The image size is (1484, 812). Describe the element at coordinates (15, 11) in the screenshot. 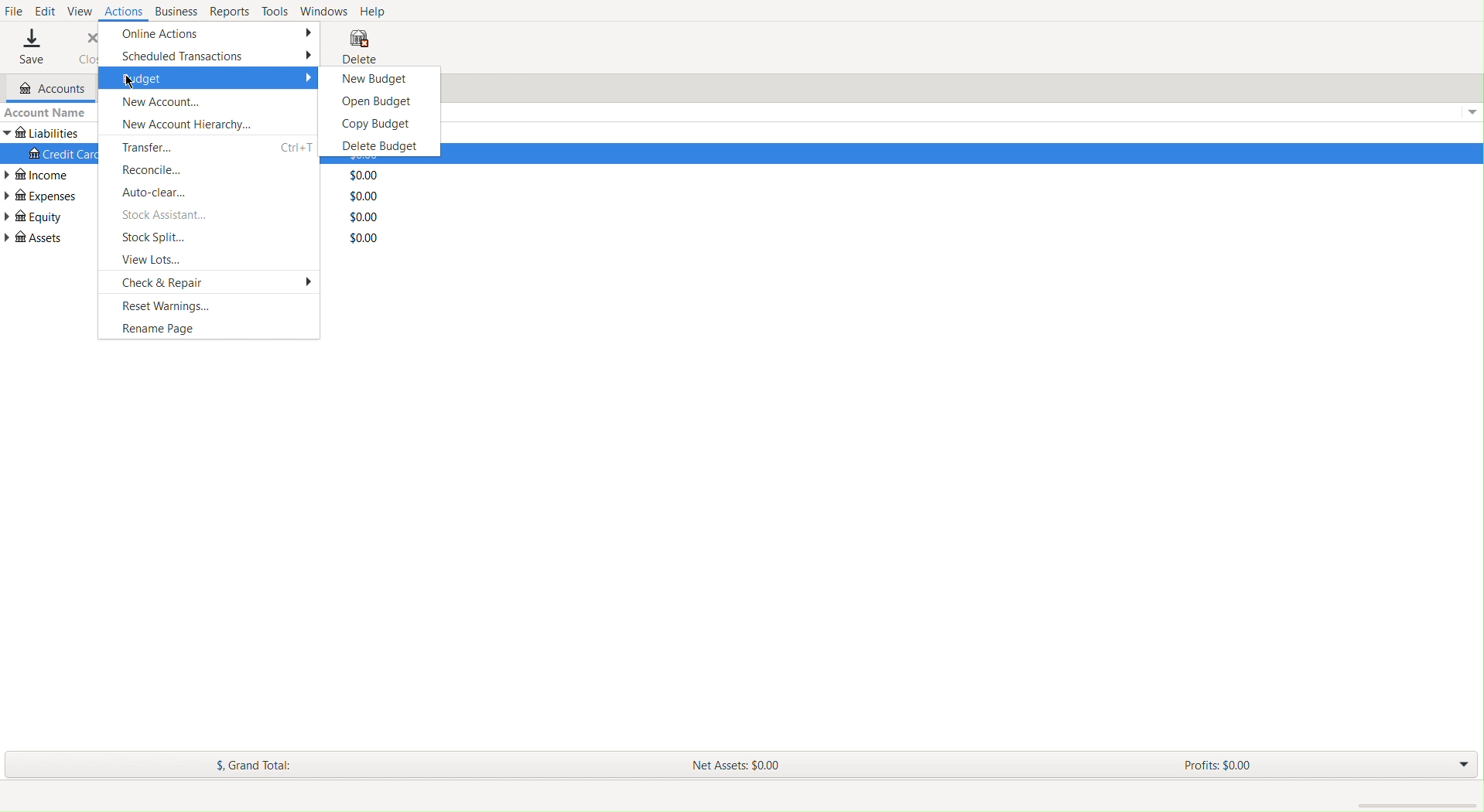

I see `File` at that location.